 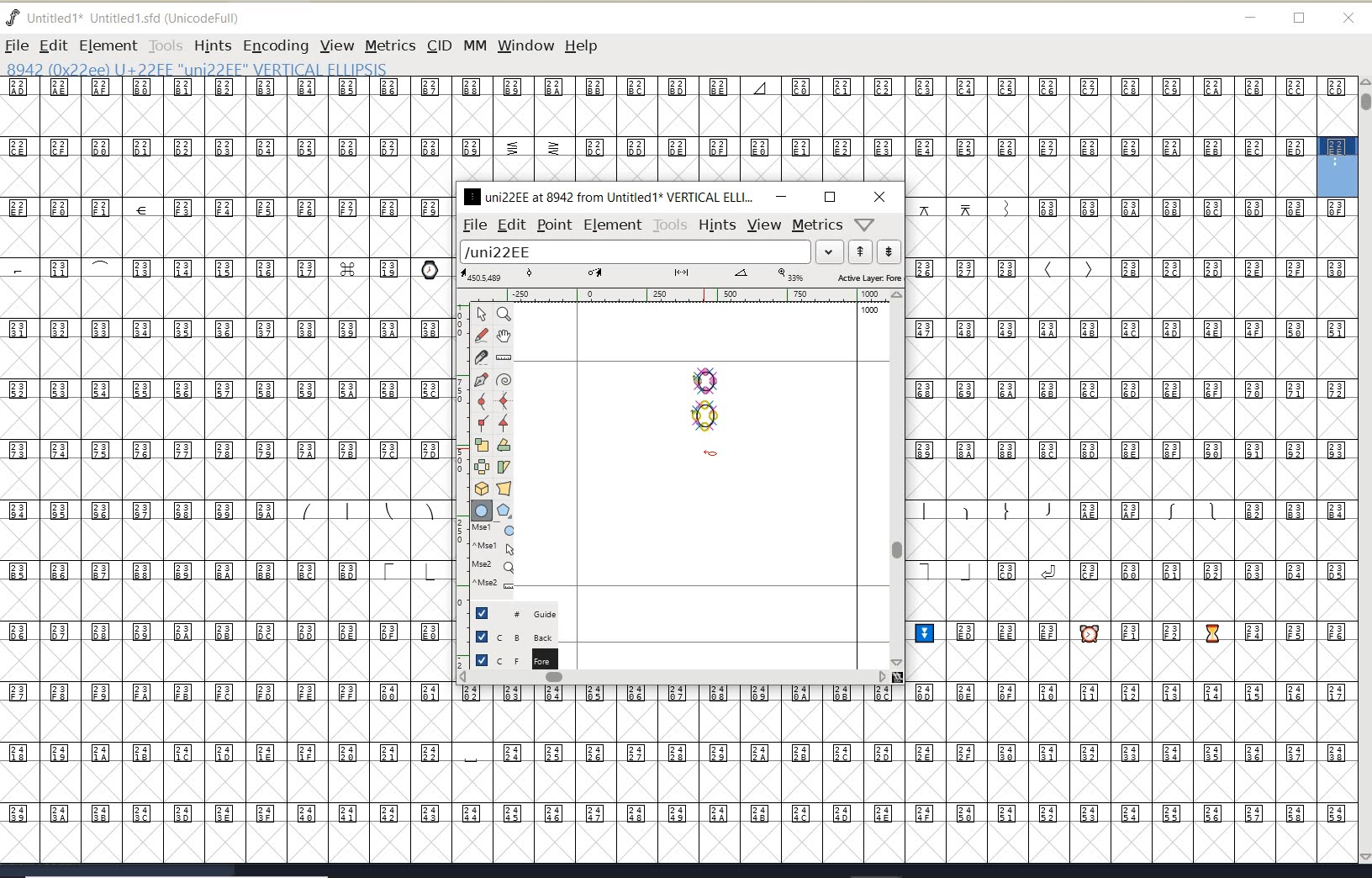 What do you see at coordinates (13, 18) in the screenshot?
I see `fontforge logo` at bounding box center [13, 18].